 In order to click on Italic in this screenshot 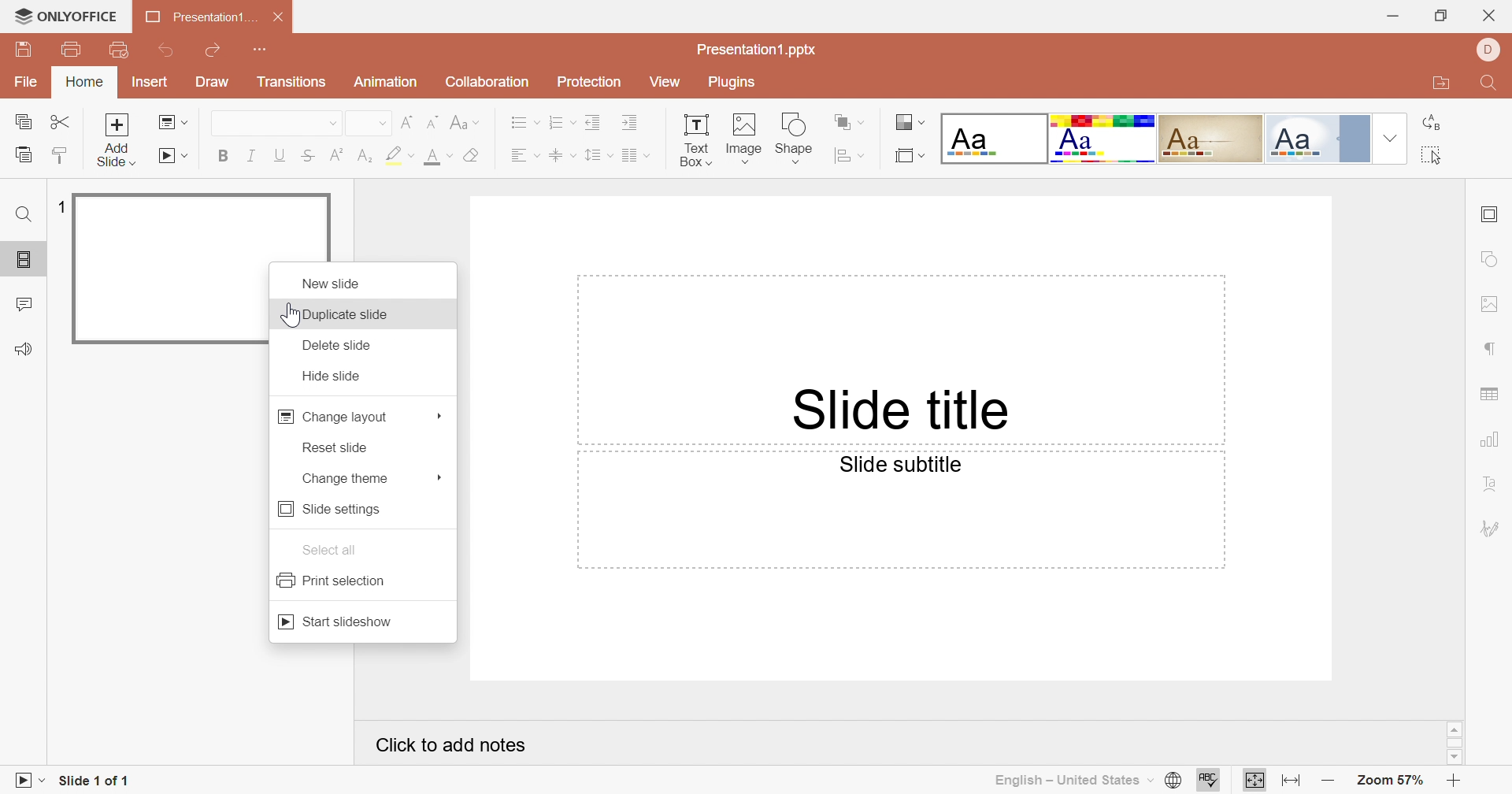, I will do `click(253, 156)`.